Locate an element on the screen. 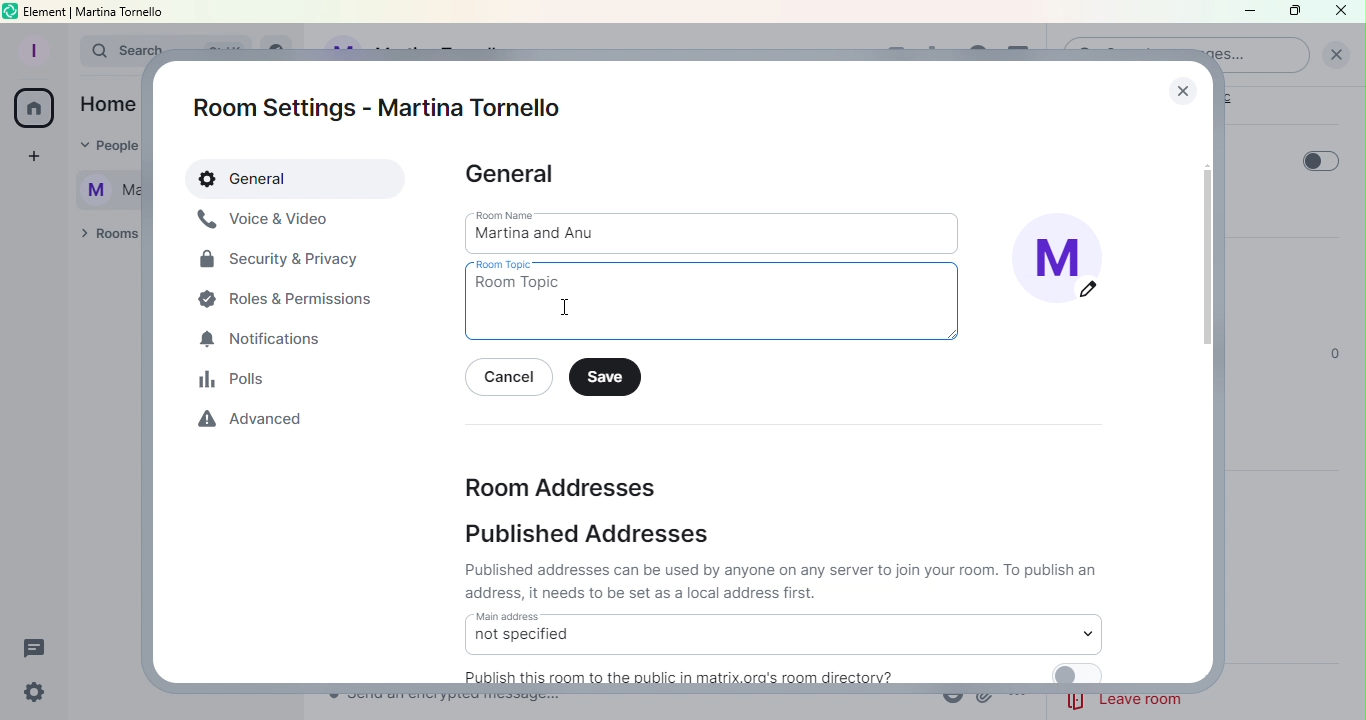  Main address is located at coordinates (782, 633).